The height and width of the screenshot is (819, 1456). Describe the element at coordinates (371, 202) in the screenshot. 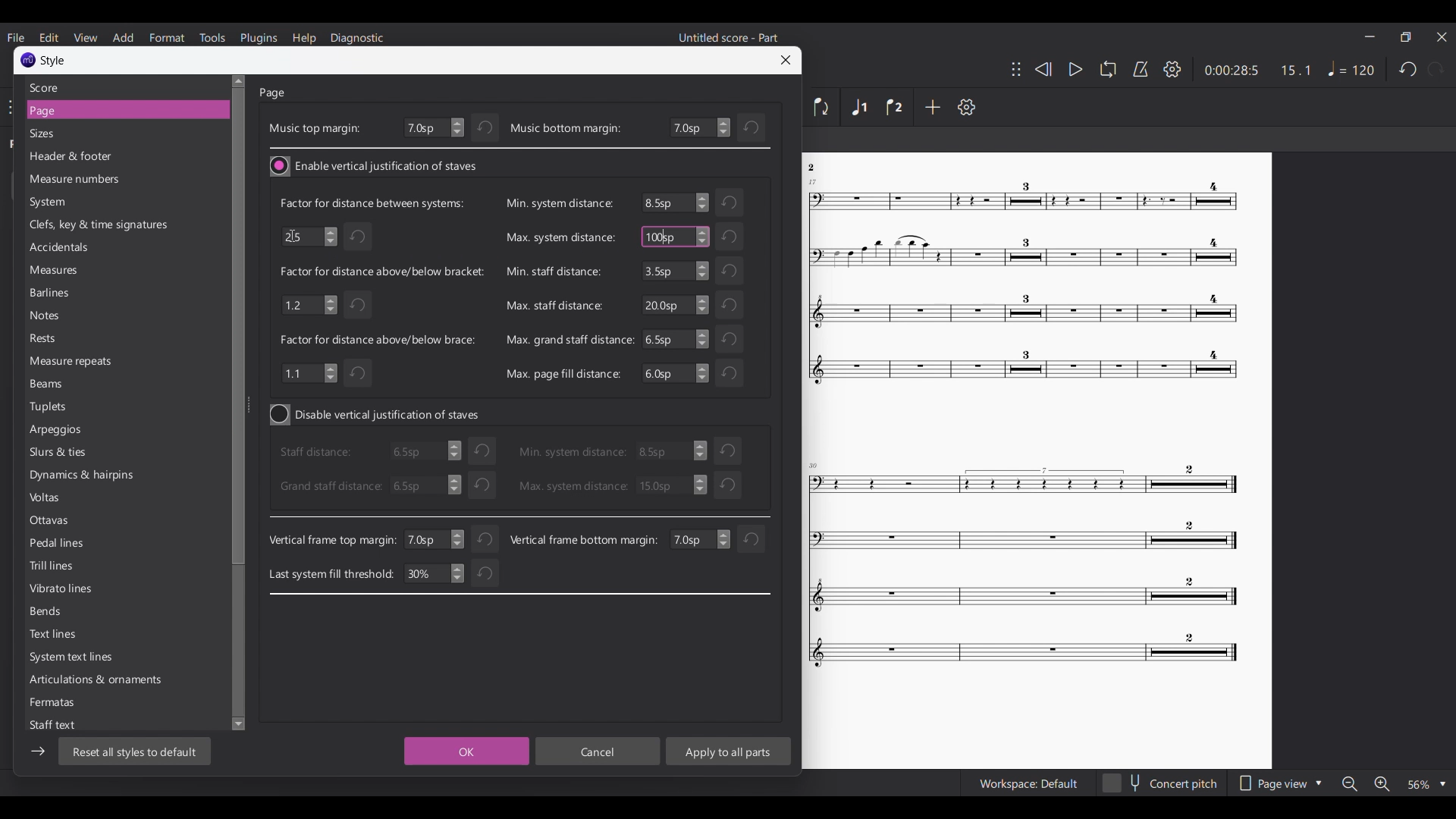

I see `Indicates factor for distance between systems` at that location.